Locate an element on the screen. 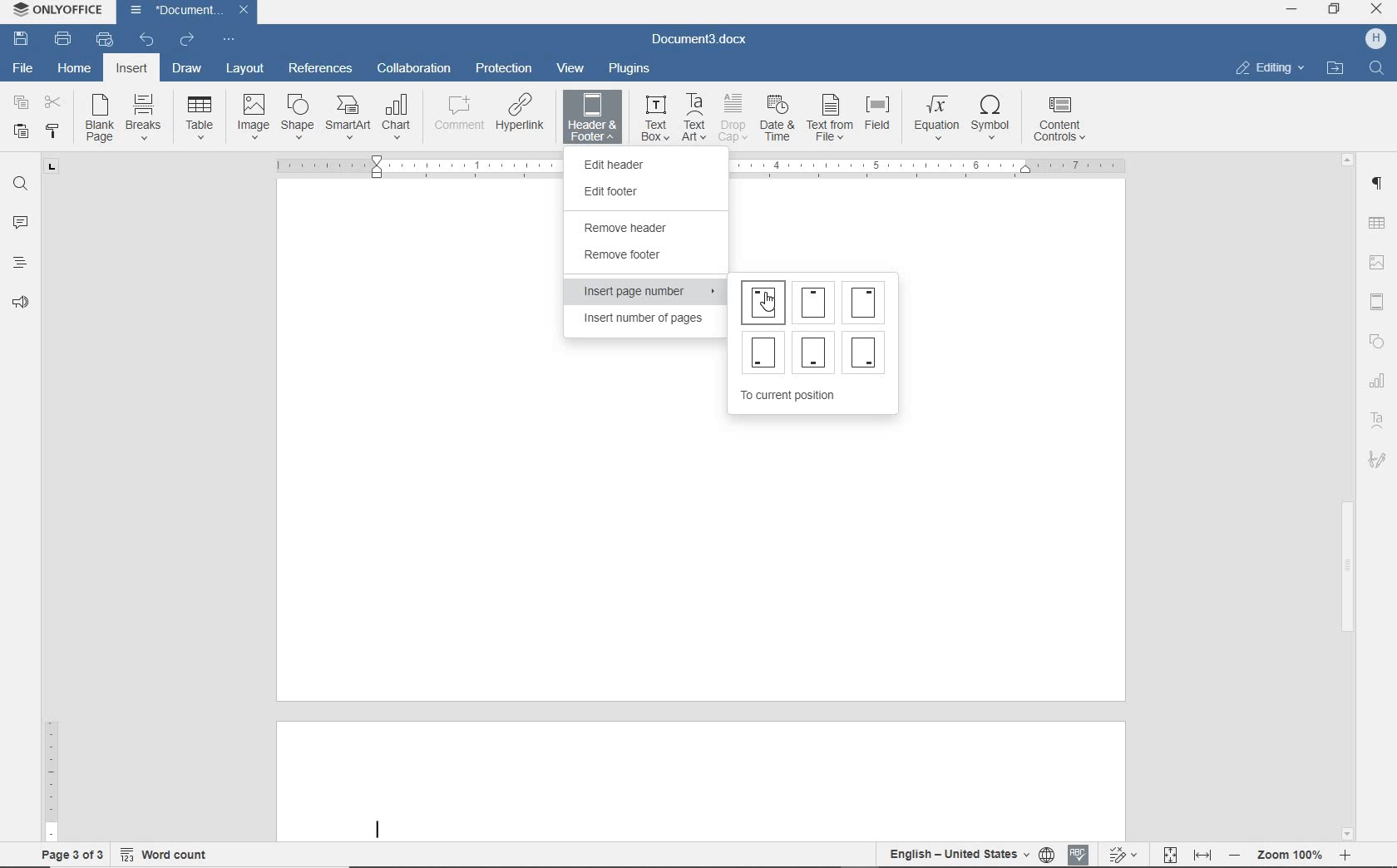 Image resolution: width=1397 pixels, height=868 pixels. Track changes is located at coordinates (1120, 850).